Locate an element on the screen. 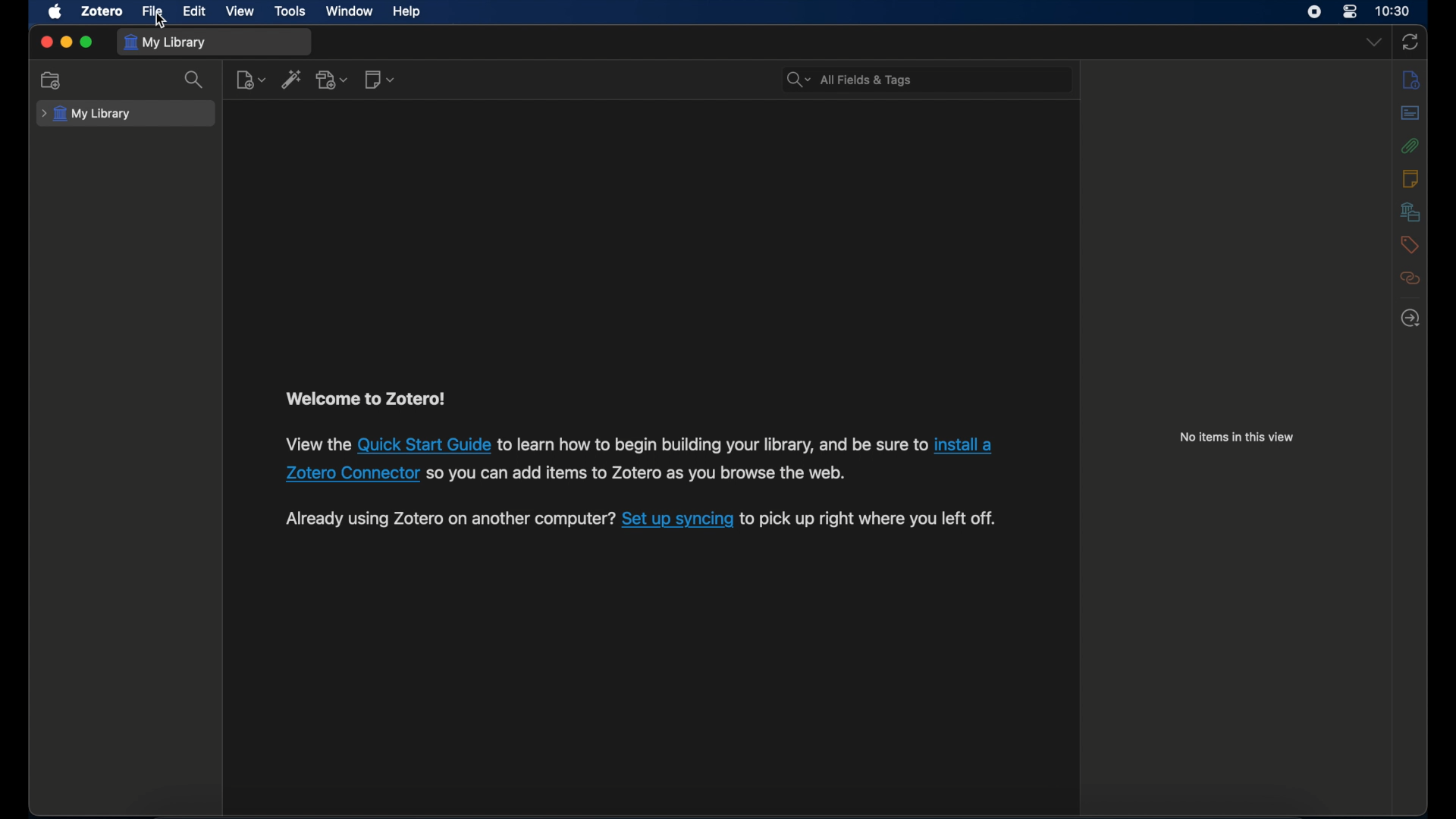 This screenshot has width=1456, height=819. sync is located at coordinates (1411, 42).